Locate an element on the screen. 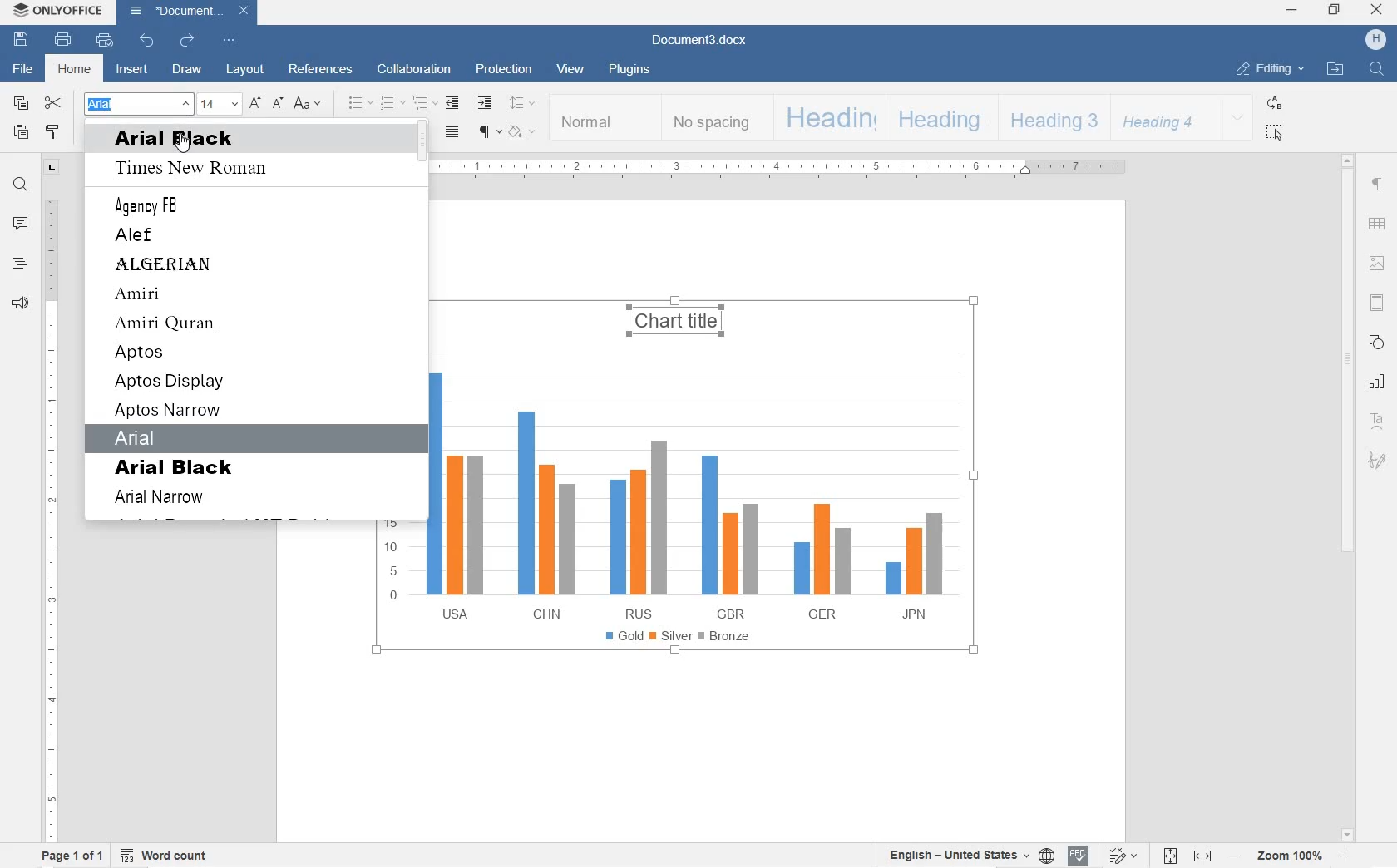 This screenshot has height=868, width=1397. COPY STYLE is located at coordinates (53, 133).